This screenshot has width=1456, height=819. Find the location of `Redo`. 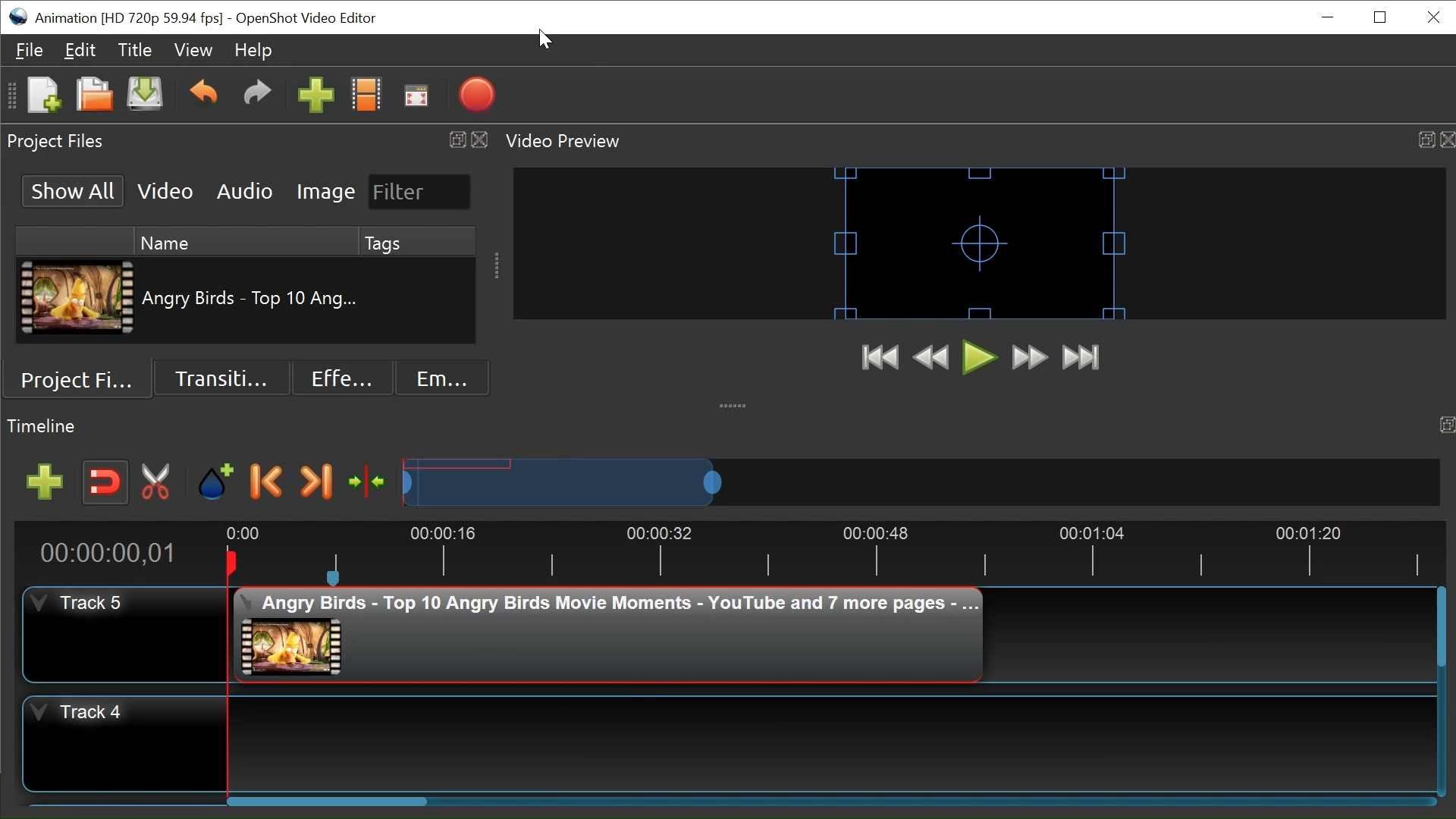

Redo is located at coordinates (257, 97).